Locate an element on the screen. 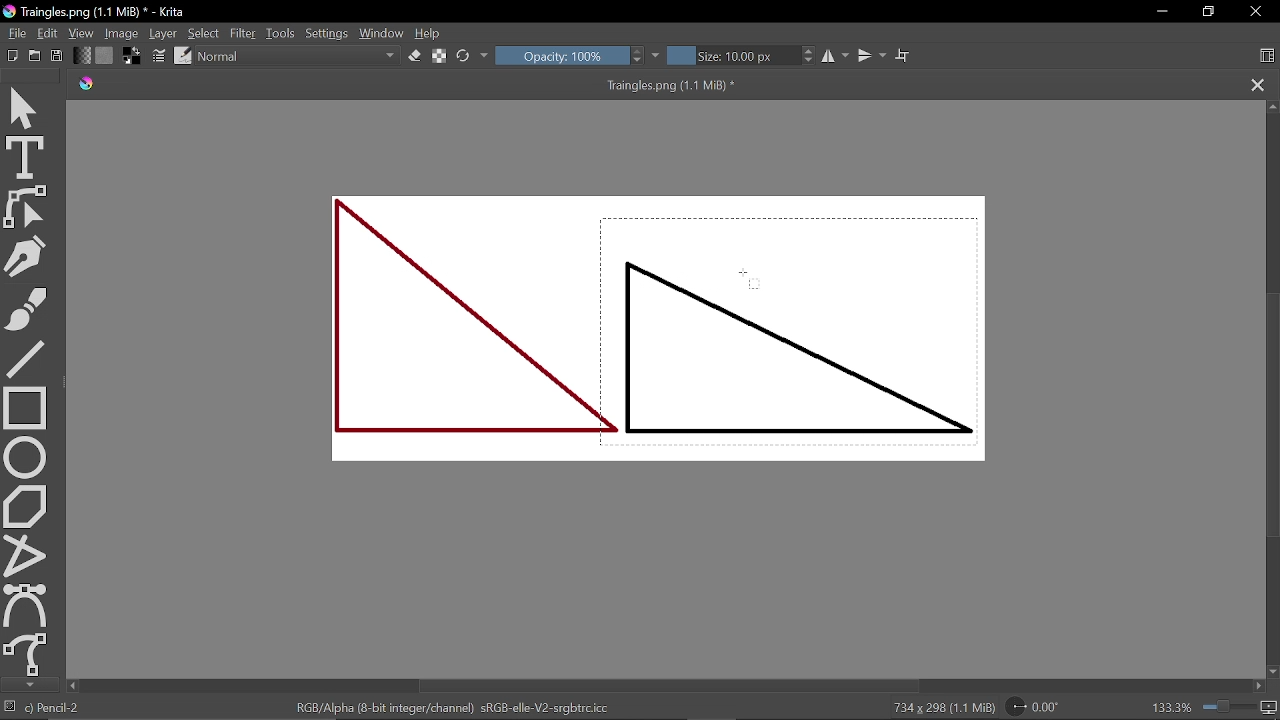 The height and width of the screenshot is (720, 1280). Tools is located at coordinates (281, 34).